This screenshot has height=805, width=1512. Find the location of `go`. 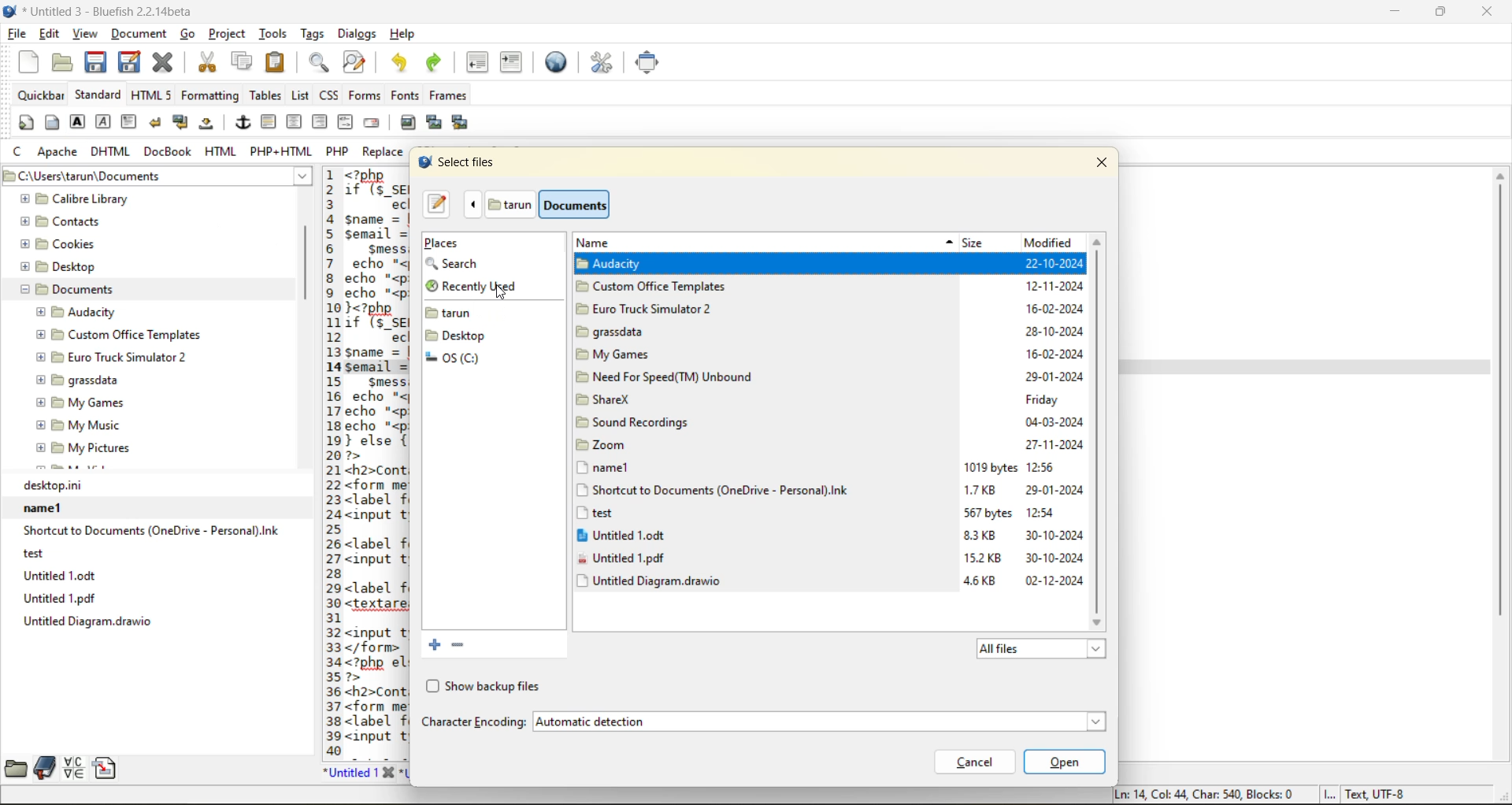

go is located at coordinates (190, 34).